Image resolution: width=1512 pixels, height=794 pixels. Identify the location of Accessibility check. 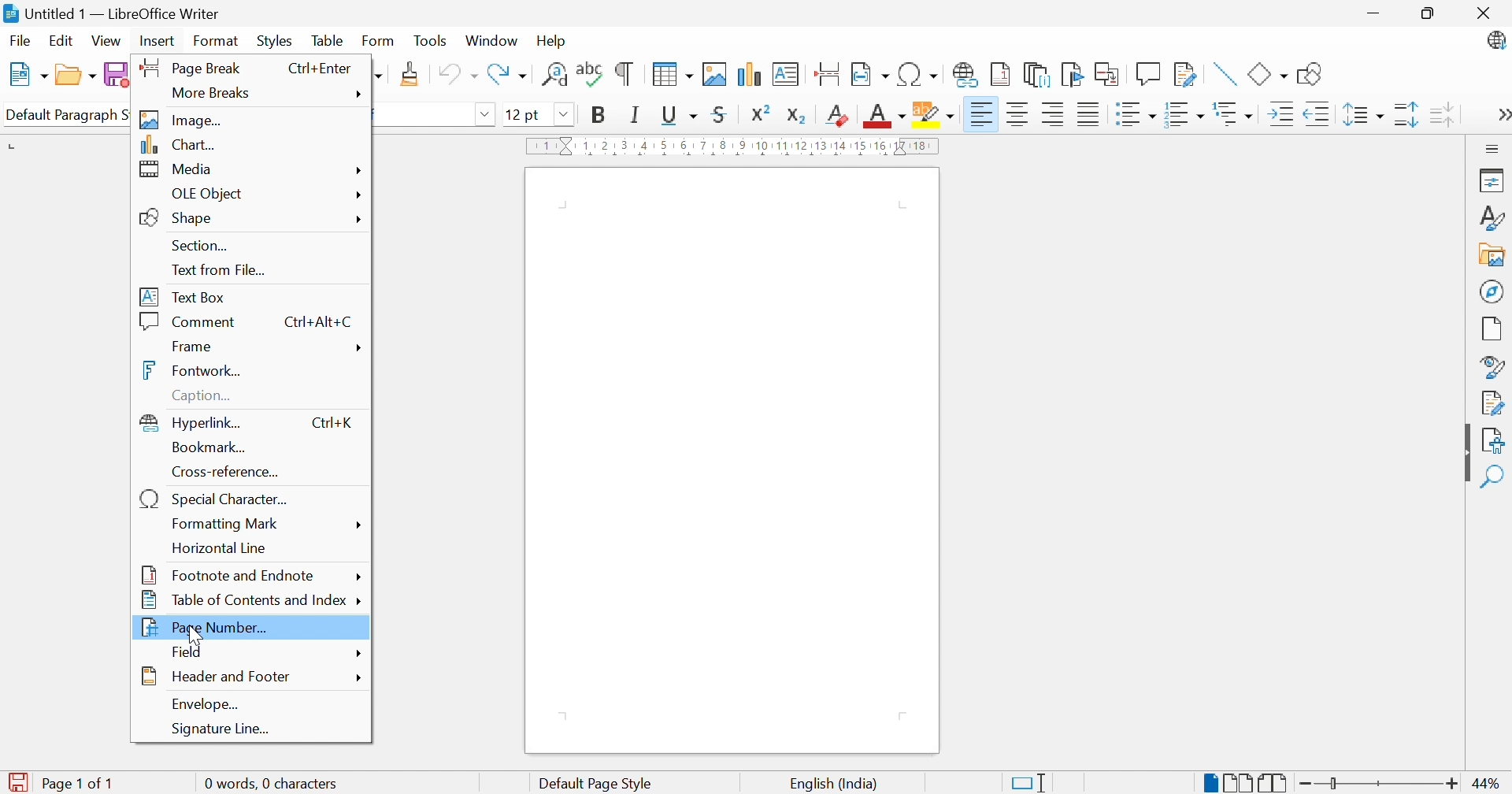
(1493, 442).